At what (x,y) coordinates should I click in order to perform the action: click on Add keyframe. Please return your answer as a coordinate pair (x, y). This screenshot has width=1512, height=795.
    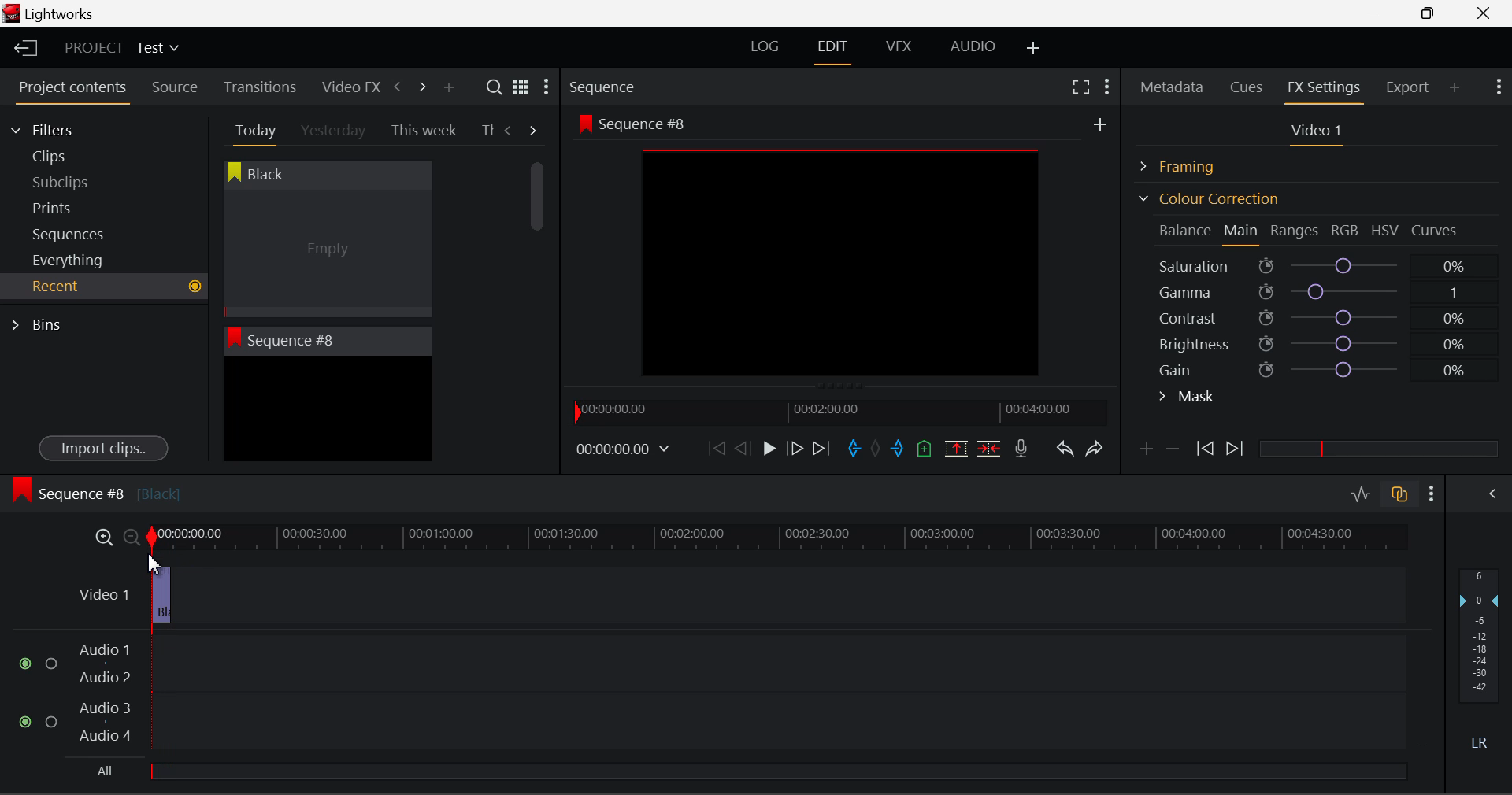
    Looking at the image, I should click on (1143, 452).